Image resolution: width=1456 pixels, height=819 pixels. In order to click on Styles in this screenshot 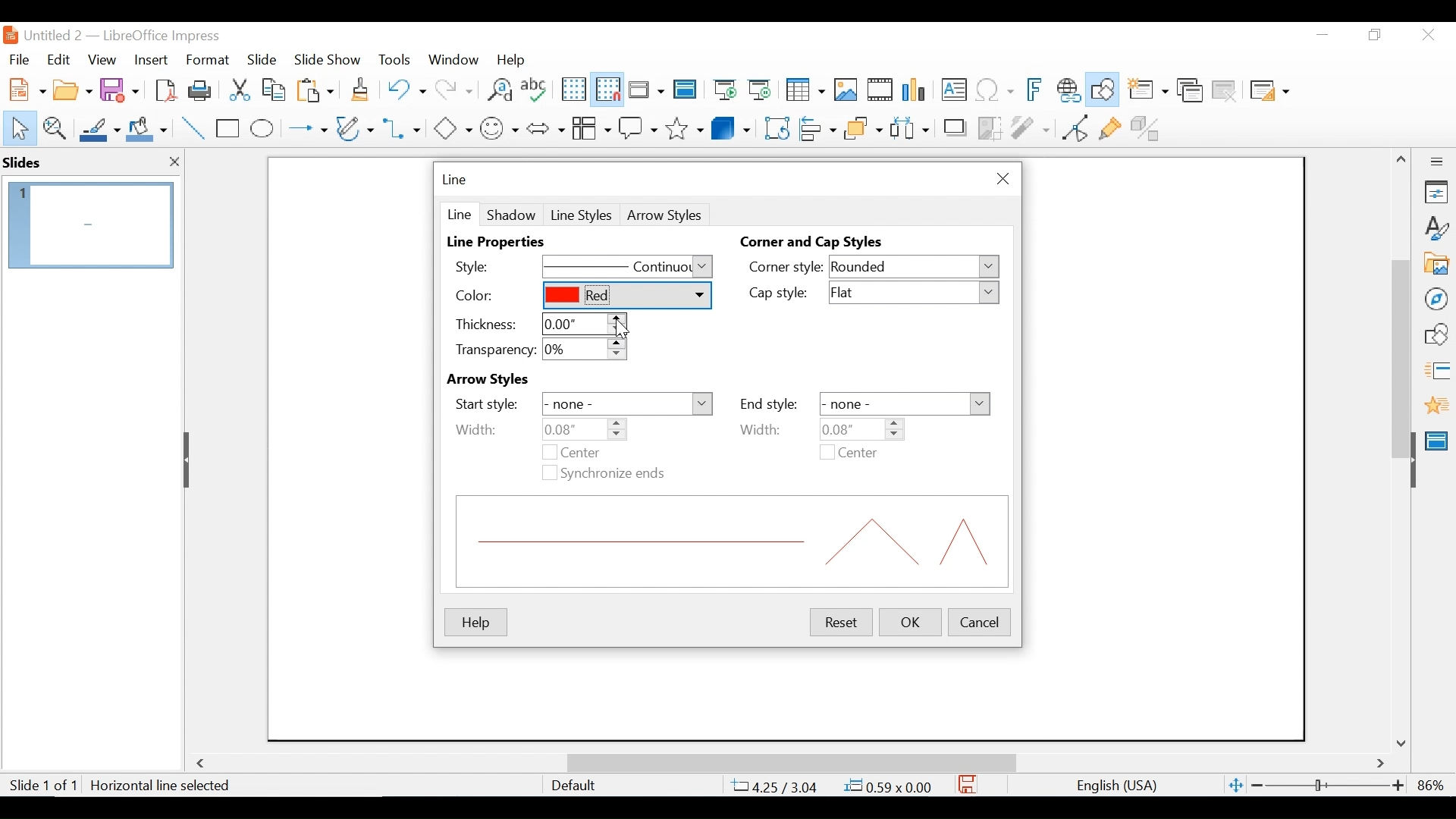, I will do `click(1437, 229)`.